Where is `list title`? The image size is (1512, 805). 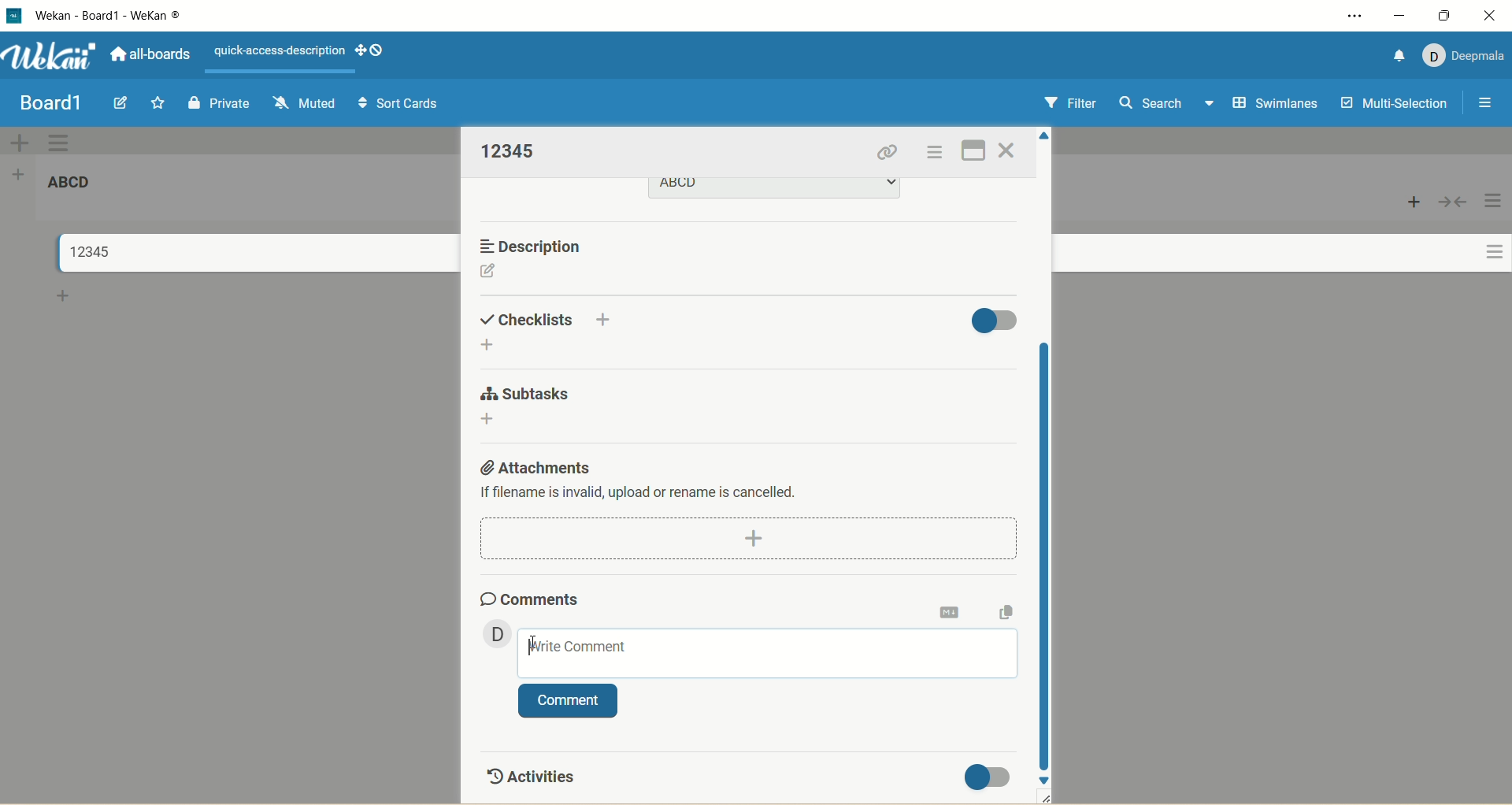 list title is located at coordinates (77, 187).